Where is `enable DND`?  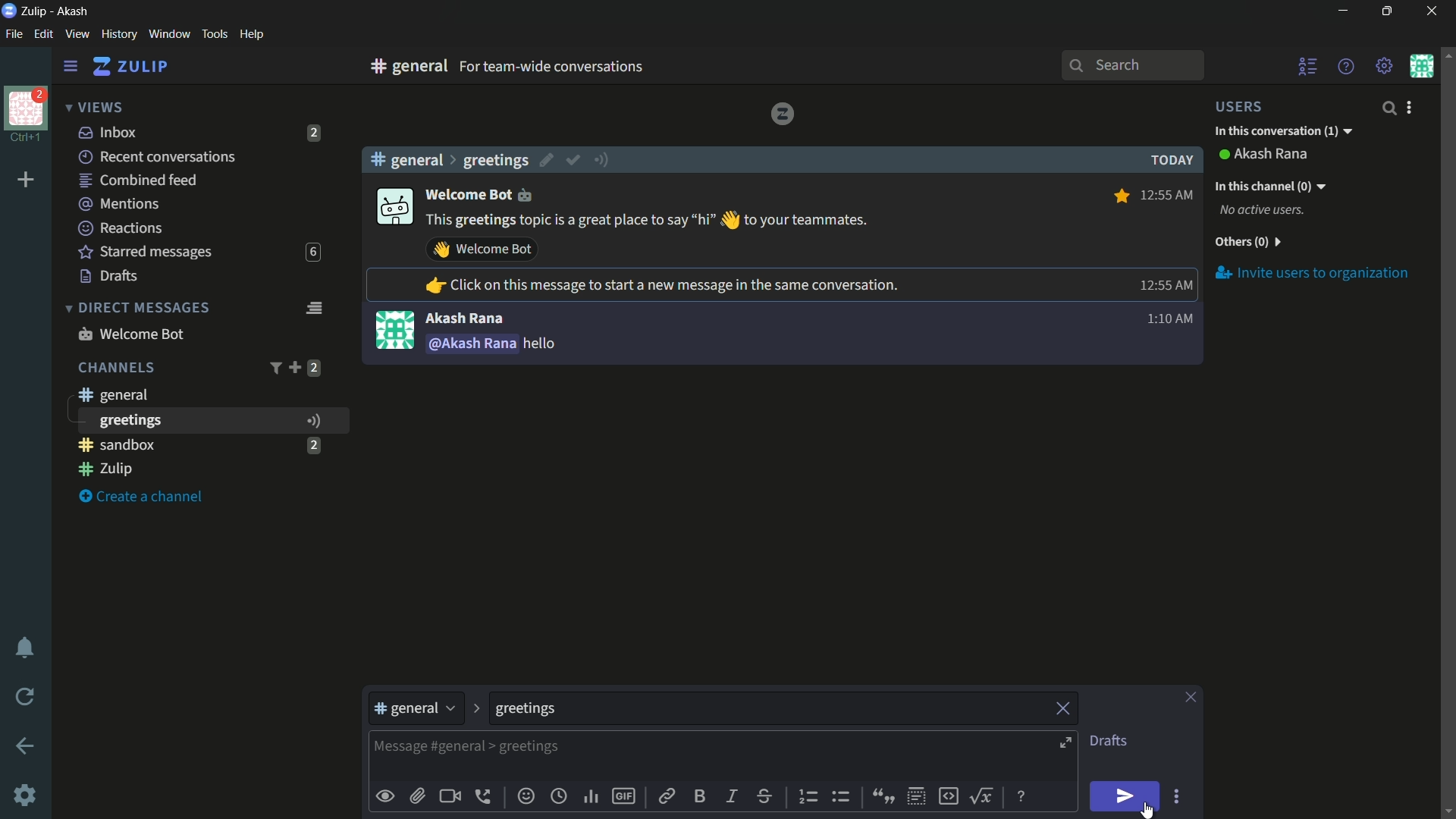 enable DND is located at coordinates (25, 648).